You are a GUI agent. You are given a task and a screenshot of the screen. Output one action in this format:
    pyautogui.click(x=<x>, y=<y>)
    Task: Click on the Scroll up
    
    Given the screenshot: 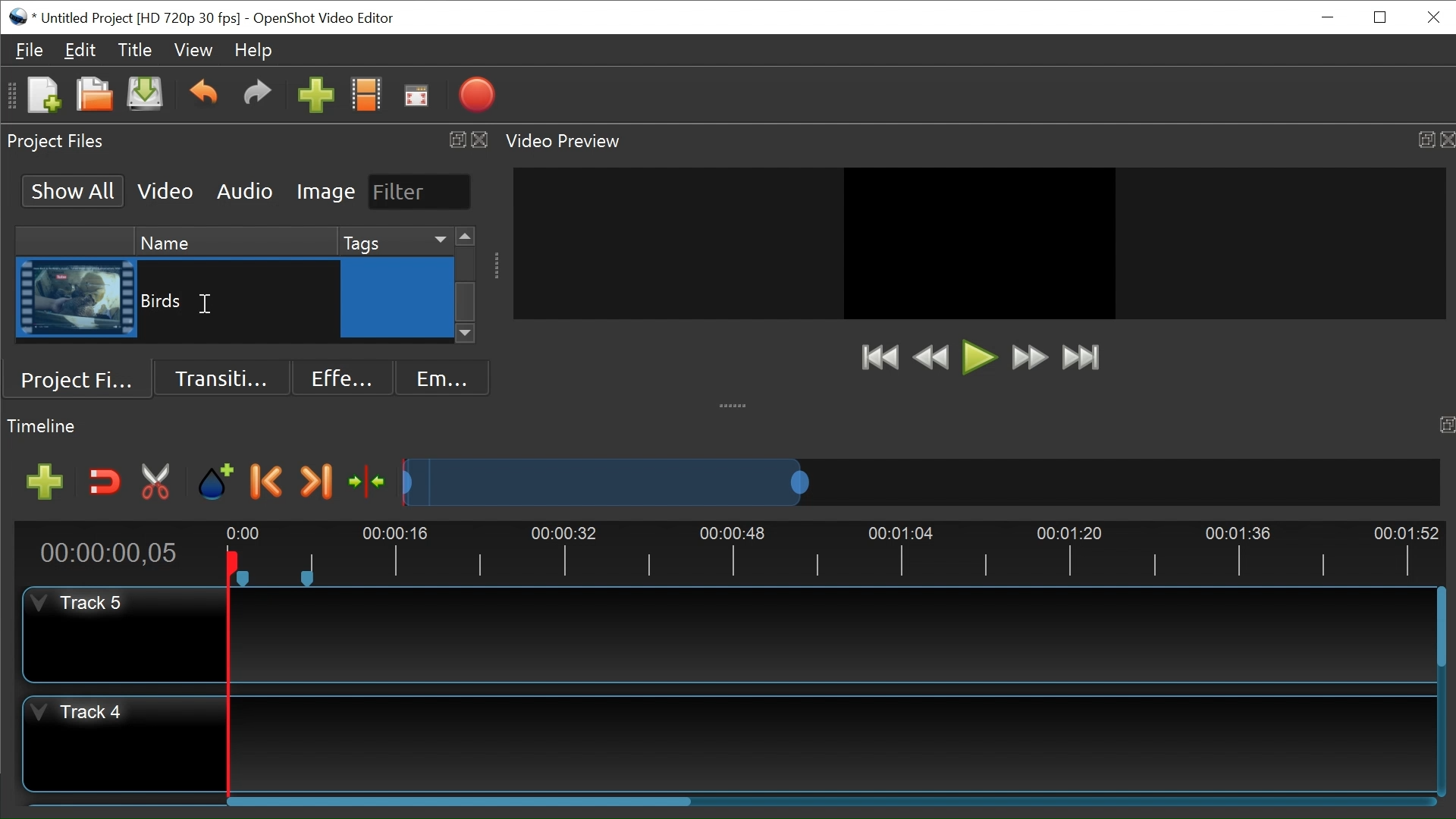 What is the action you would take?
    pyautogui.click(x=465, y=237)
    